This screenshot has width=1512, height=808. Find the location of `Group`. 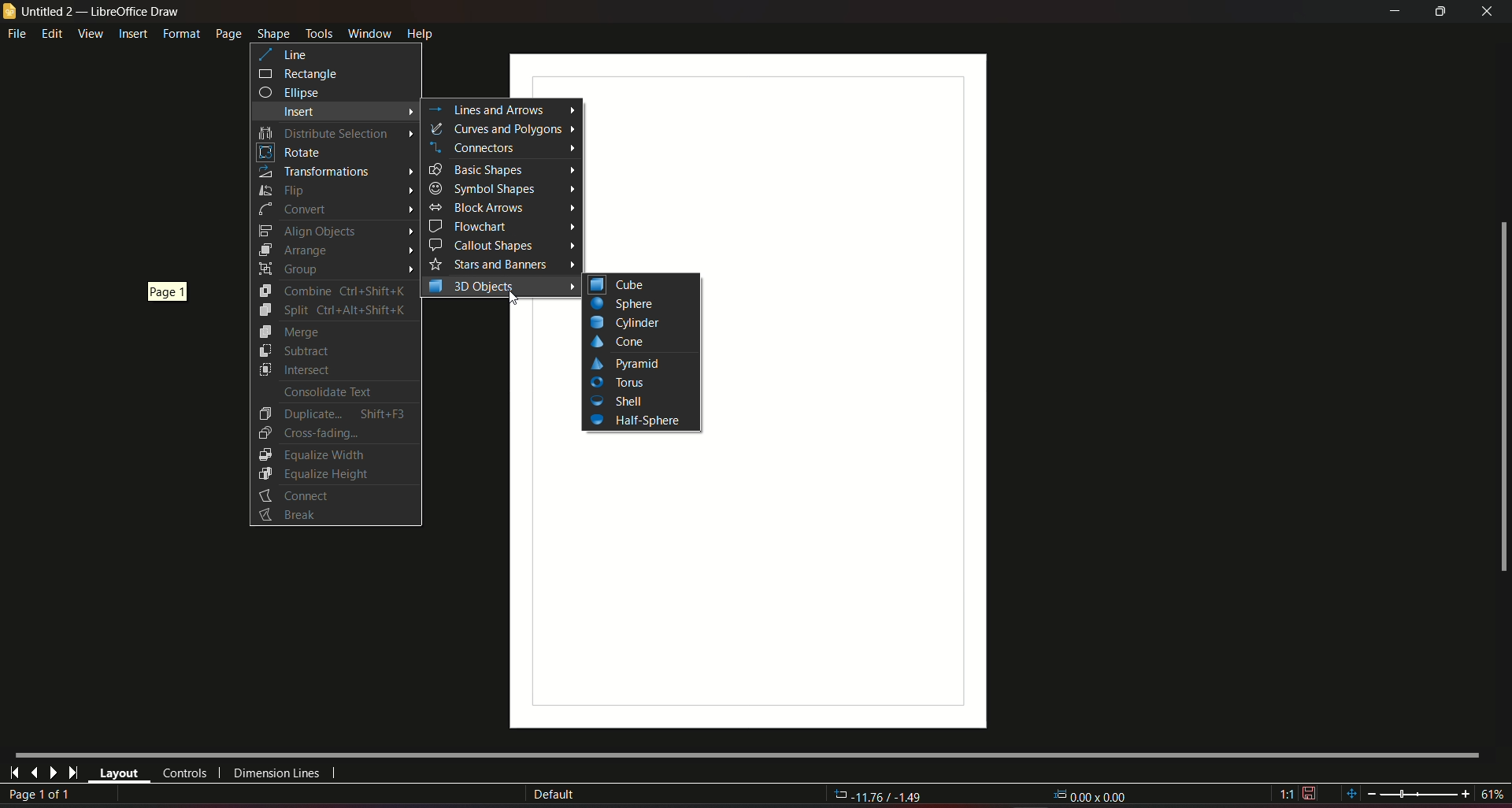

Group is located at coordinates (292, 269).